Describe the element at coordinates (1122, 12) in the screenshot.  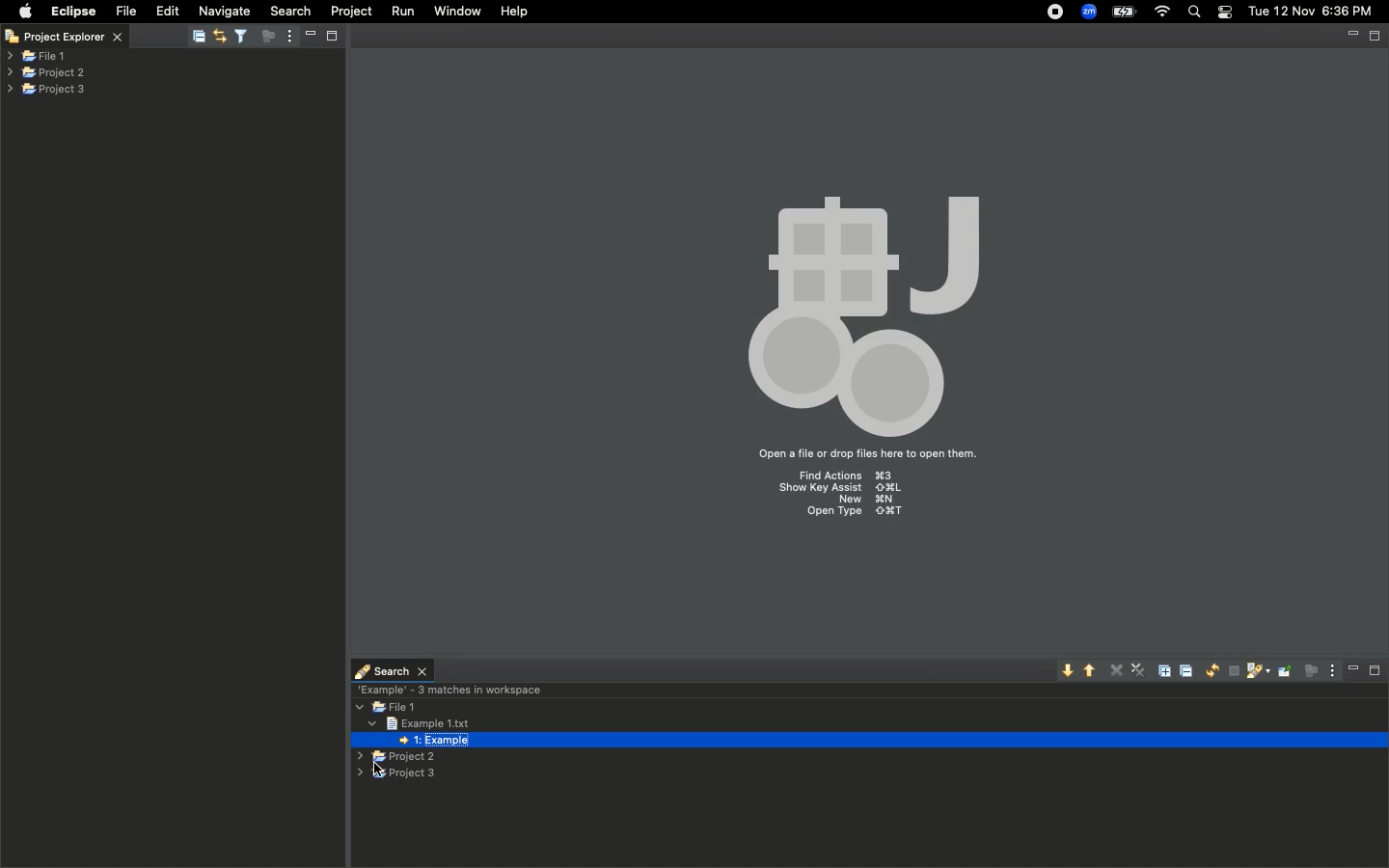
I see `Charge` at that location.